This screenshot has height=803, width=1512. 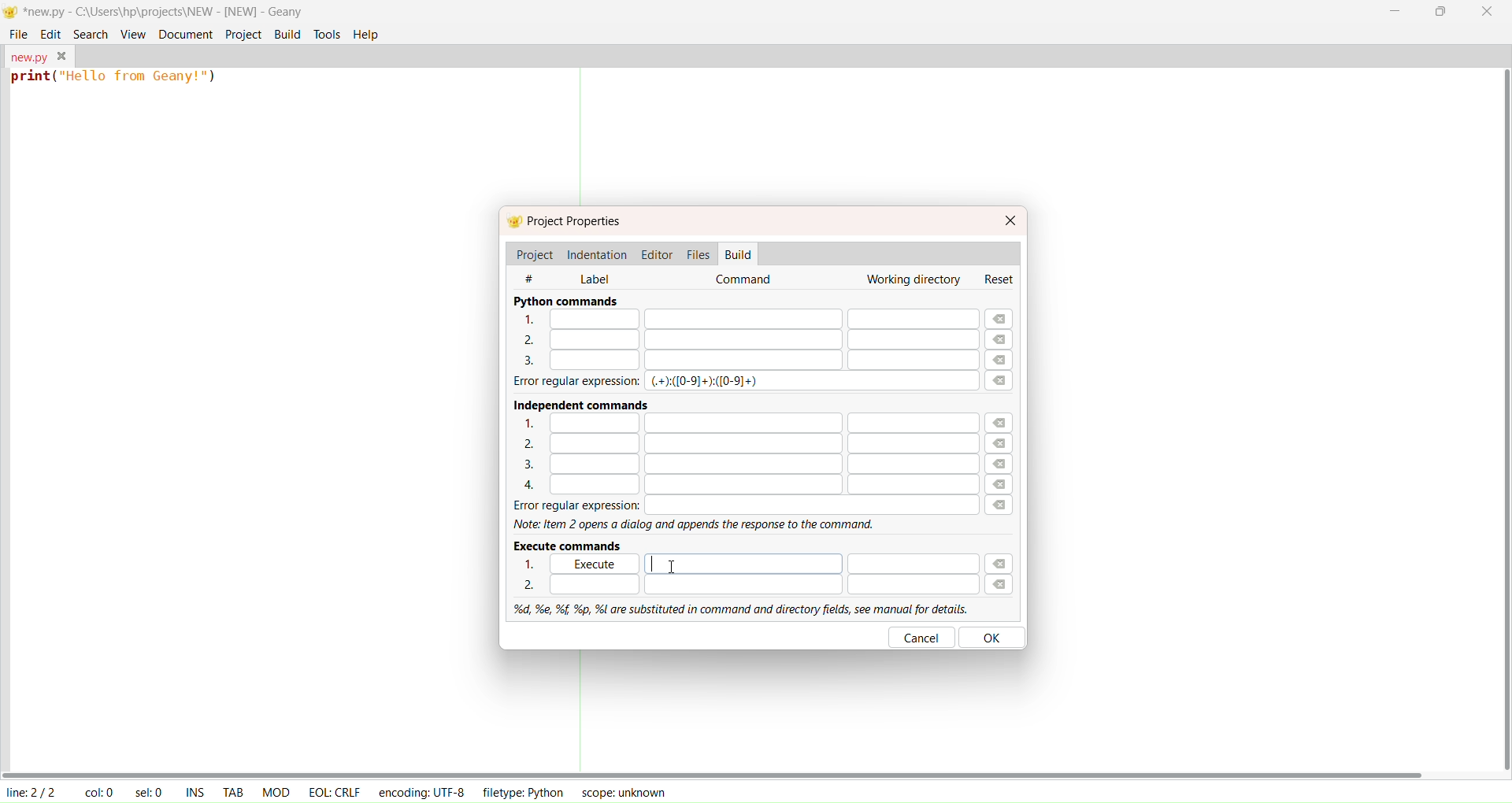 I want to click on indentation, so click(x=598, y=253).